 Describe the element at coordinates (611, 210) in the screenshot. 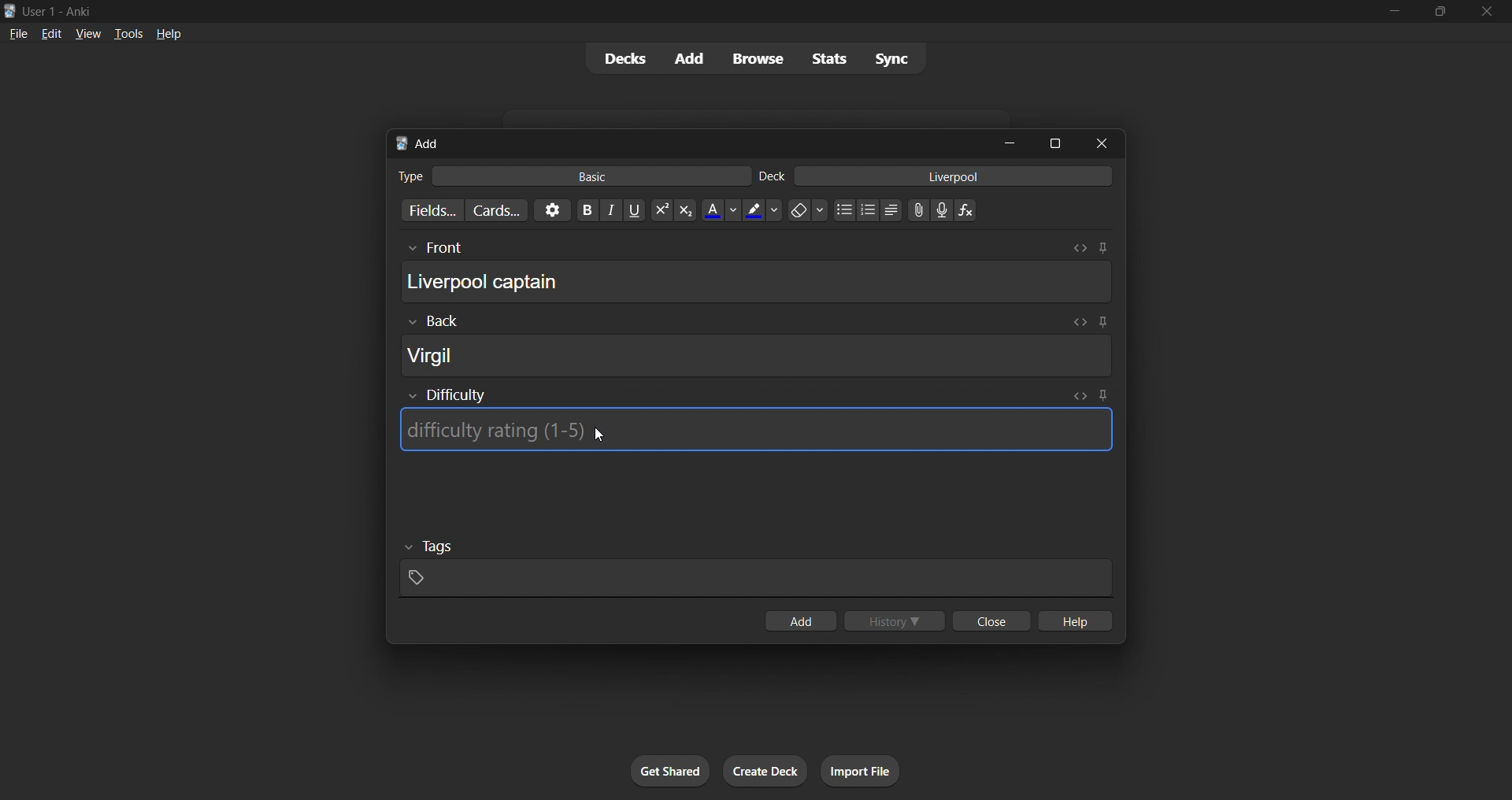

I see `Italics` at that location.